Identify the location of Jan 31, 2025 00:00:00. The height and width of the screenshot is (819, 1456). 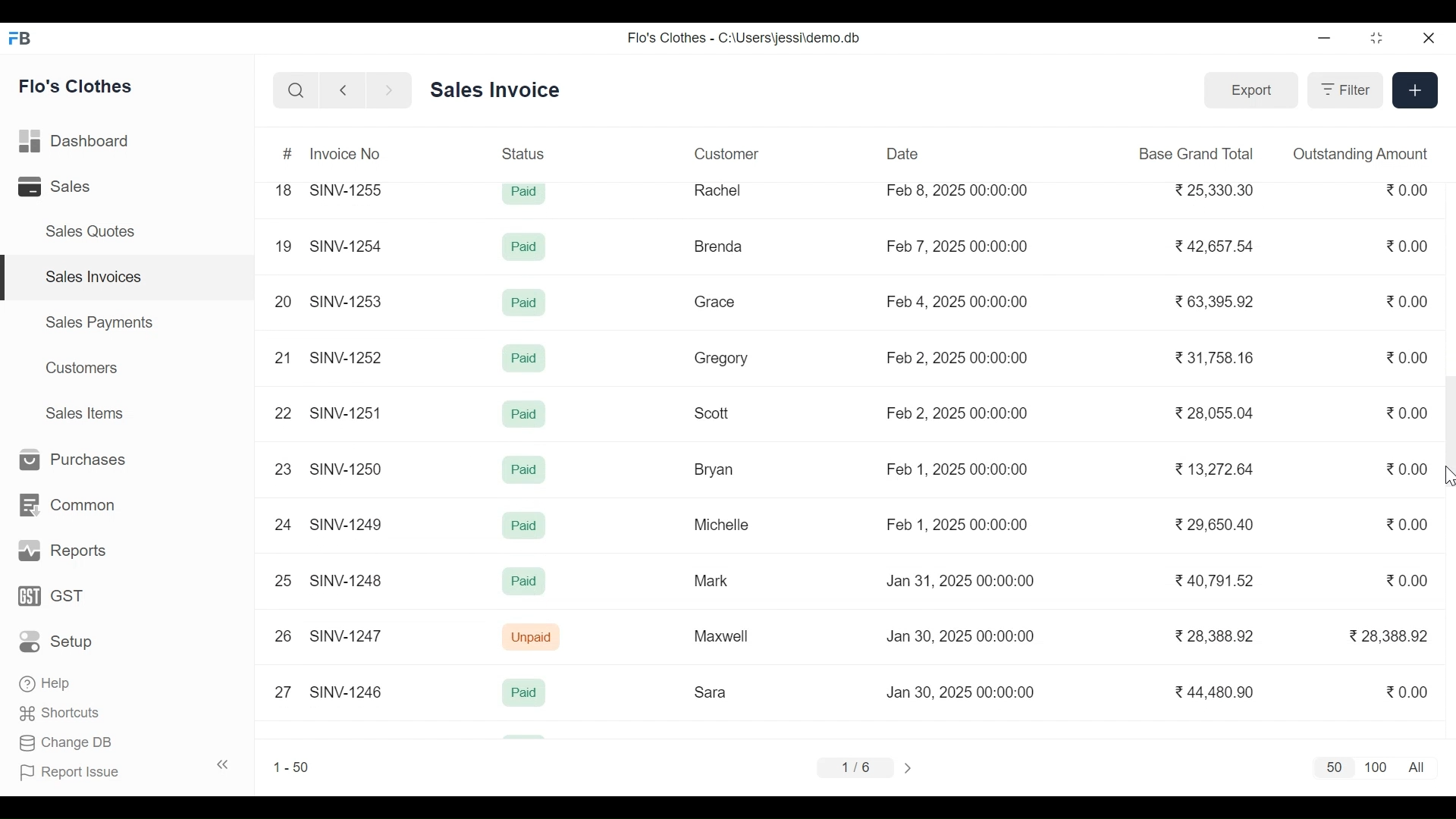
(961, 581).